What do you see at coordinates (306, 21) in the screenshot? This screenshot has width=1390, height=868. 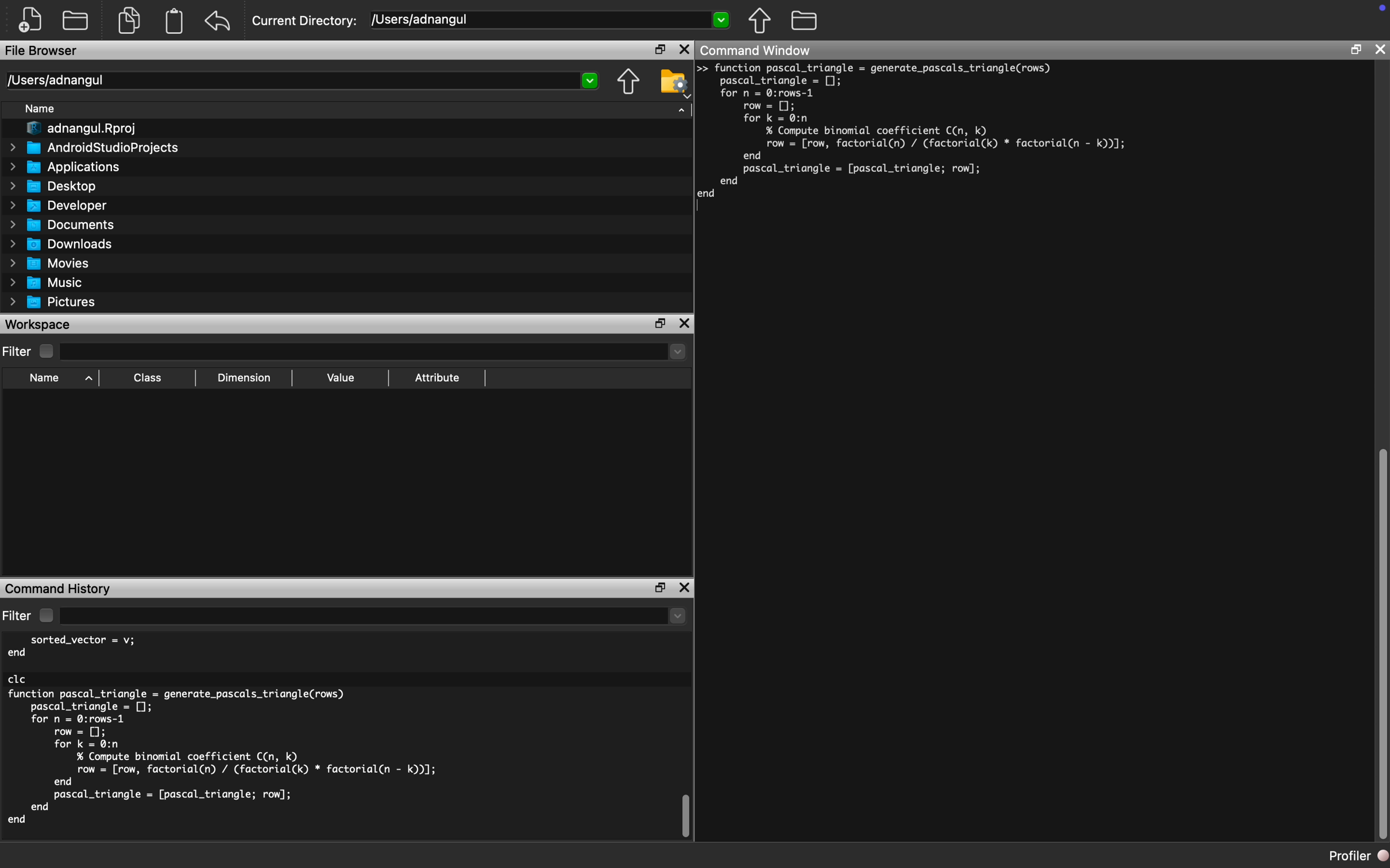 I see `Current Directory:` at bounding box center [306, 21].